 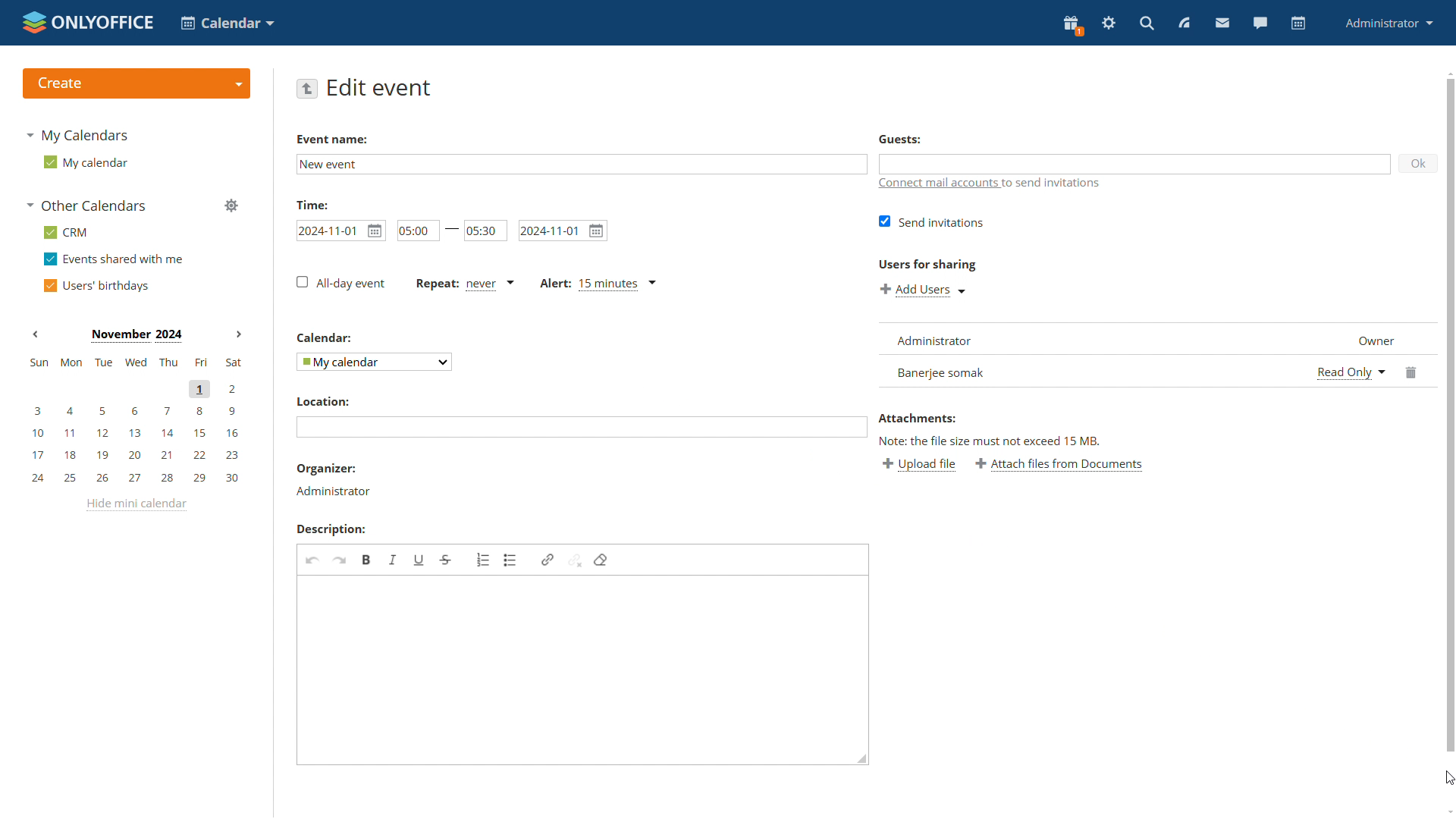 I want to click on list of invitees, so click(x=1092, y=354).